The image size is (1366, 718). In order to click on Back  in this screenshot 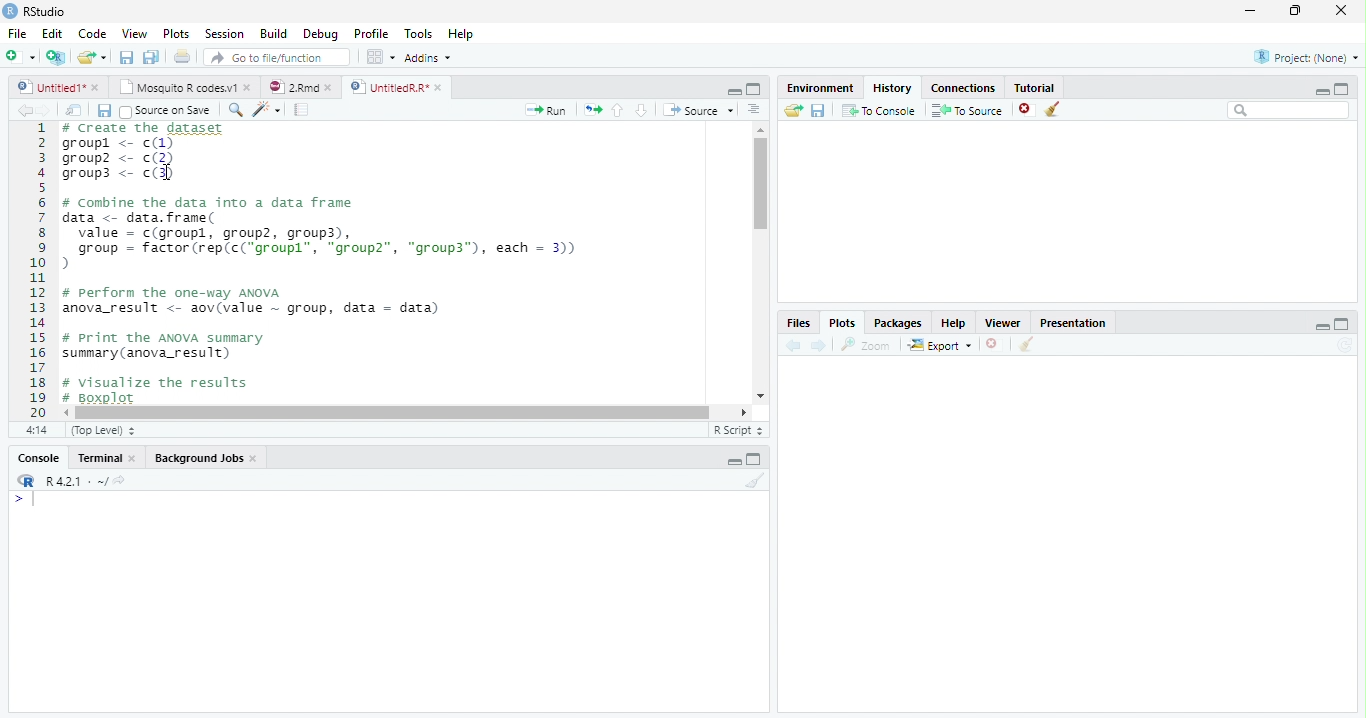, I will do `click(26, 111)`.